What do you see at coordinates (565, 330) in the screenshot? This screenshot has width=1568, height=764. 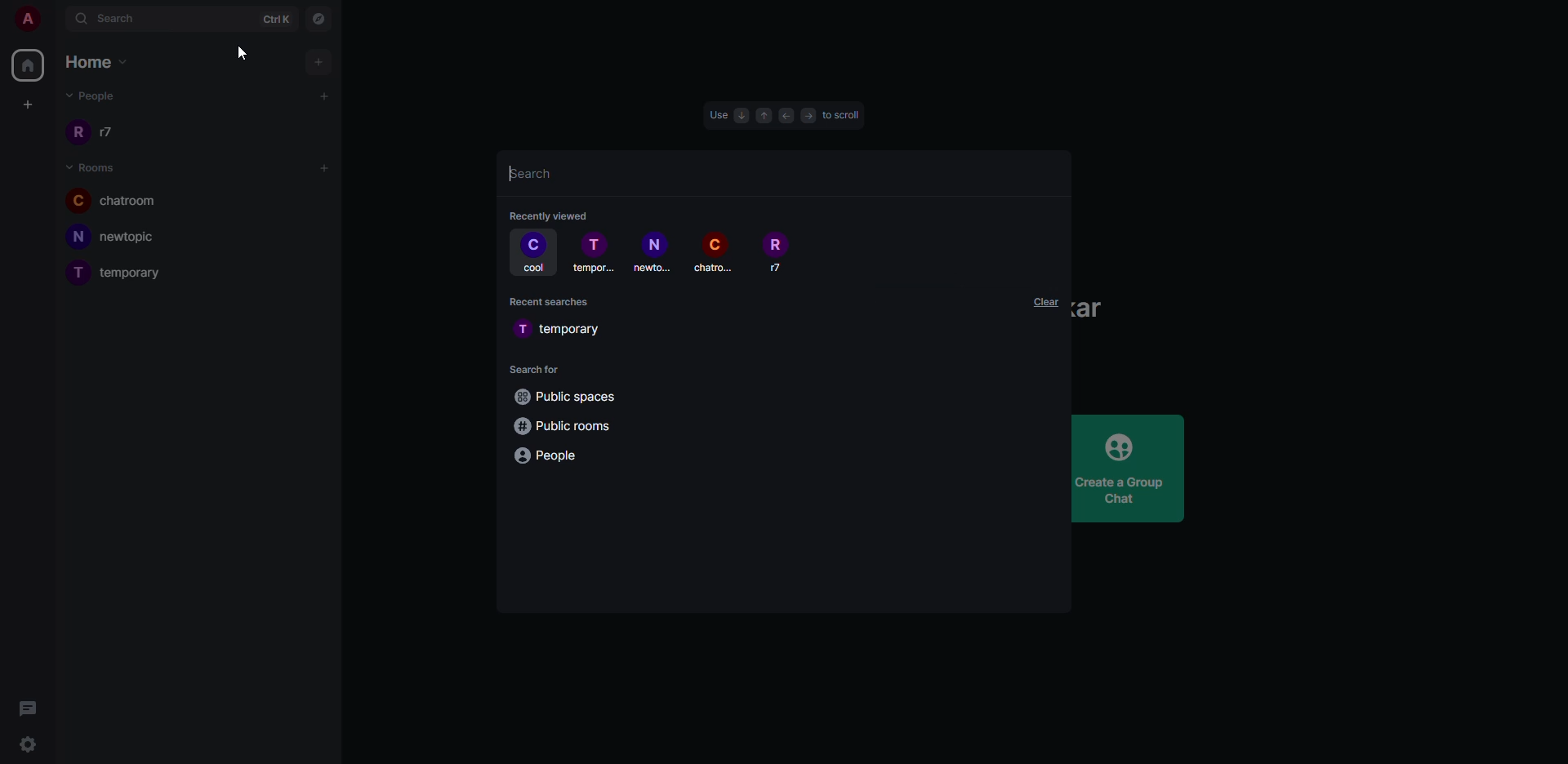 I see `room` at bounding box center [565, 330].